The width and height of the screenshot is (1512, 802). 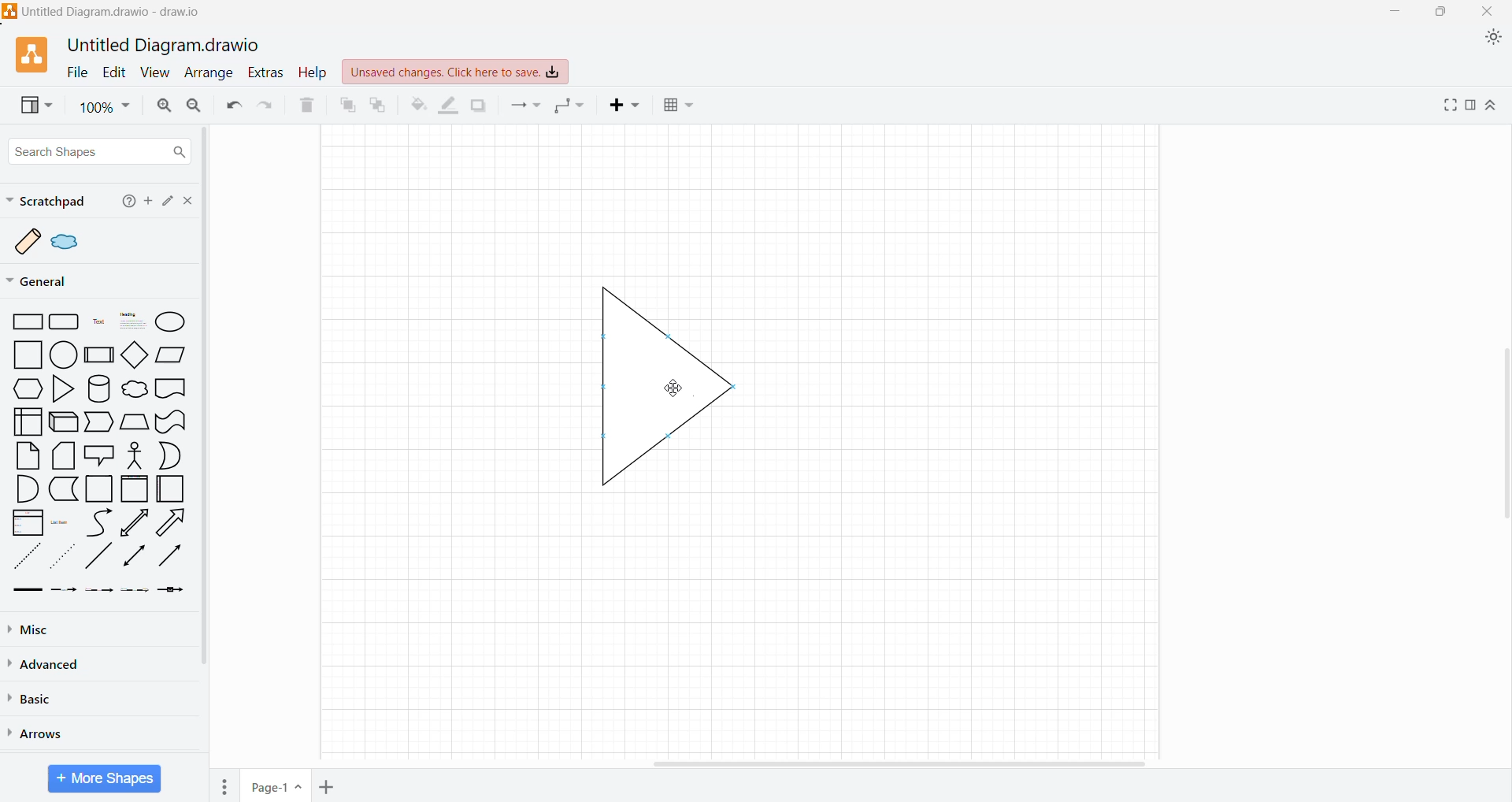 What do you see at coordinates (224, 785) in the screenshot?
I see `Pages` at bounding box center [224, 785].